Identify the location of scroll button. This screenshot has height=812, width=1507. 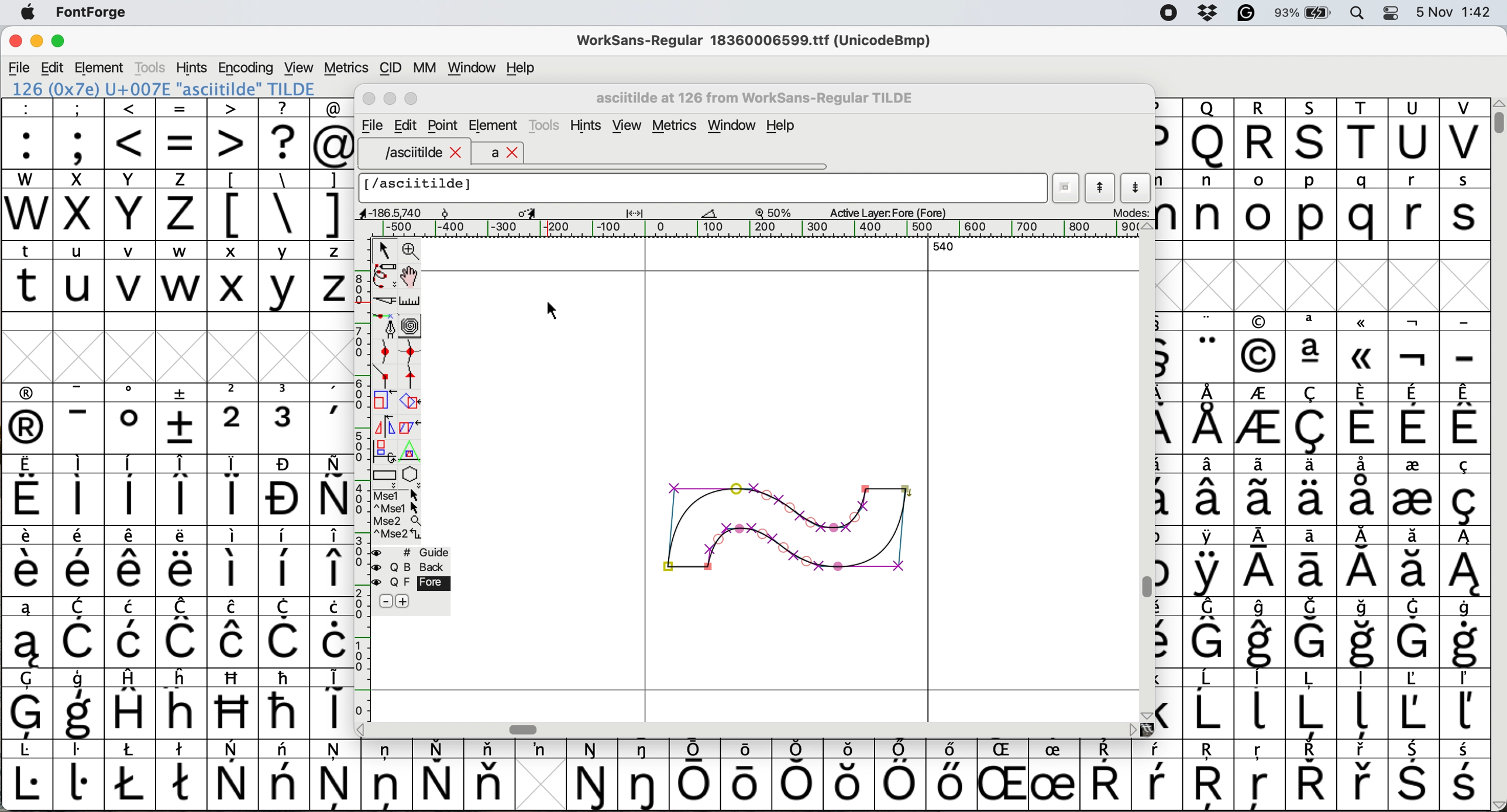
(1147, 227).